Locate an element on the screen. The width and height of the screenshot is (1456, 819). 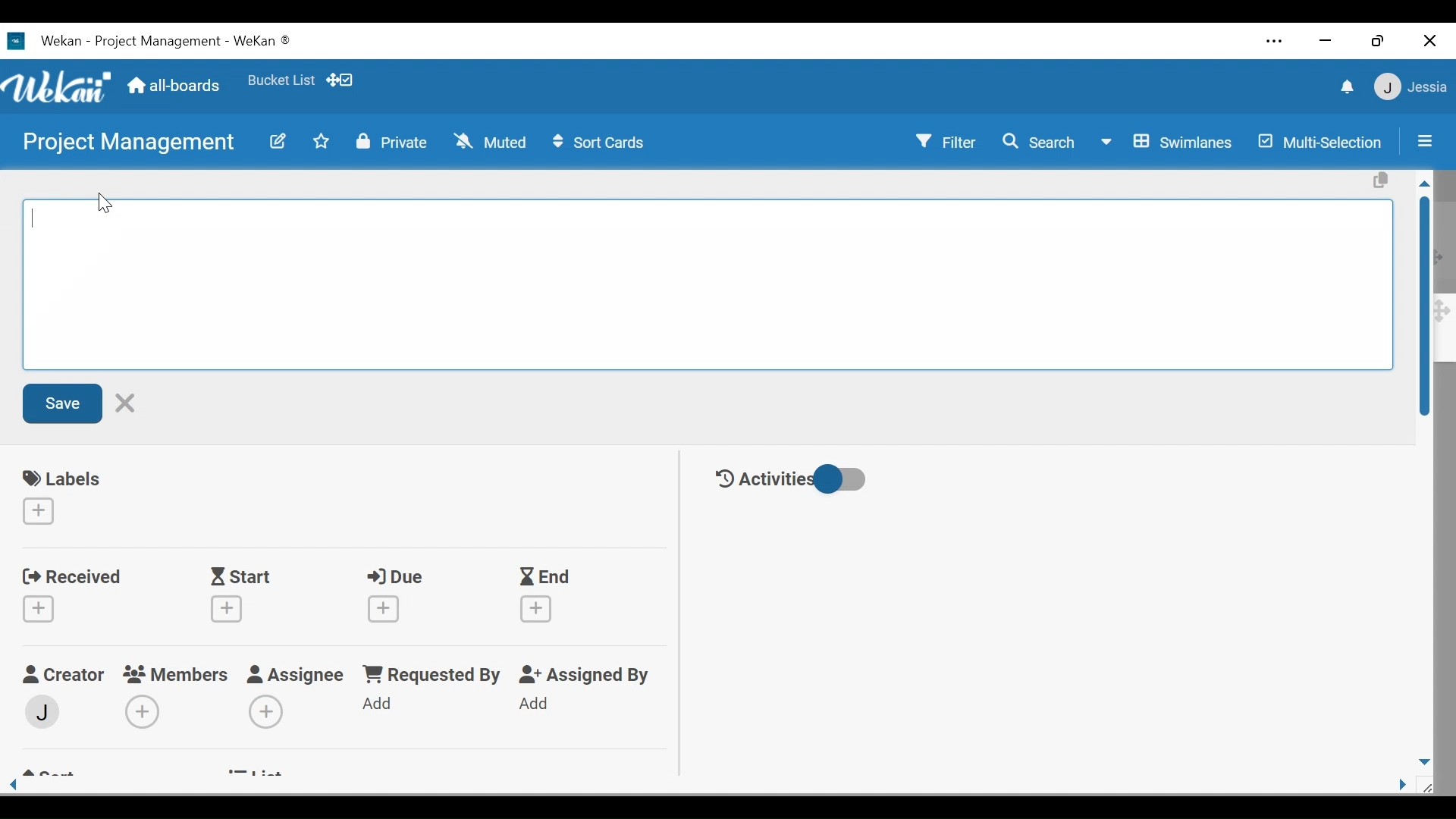
cursor is located at coordinates (102, 201).